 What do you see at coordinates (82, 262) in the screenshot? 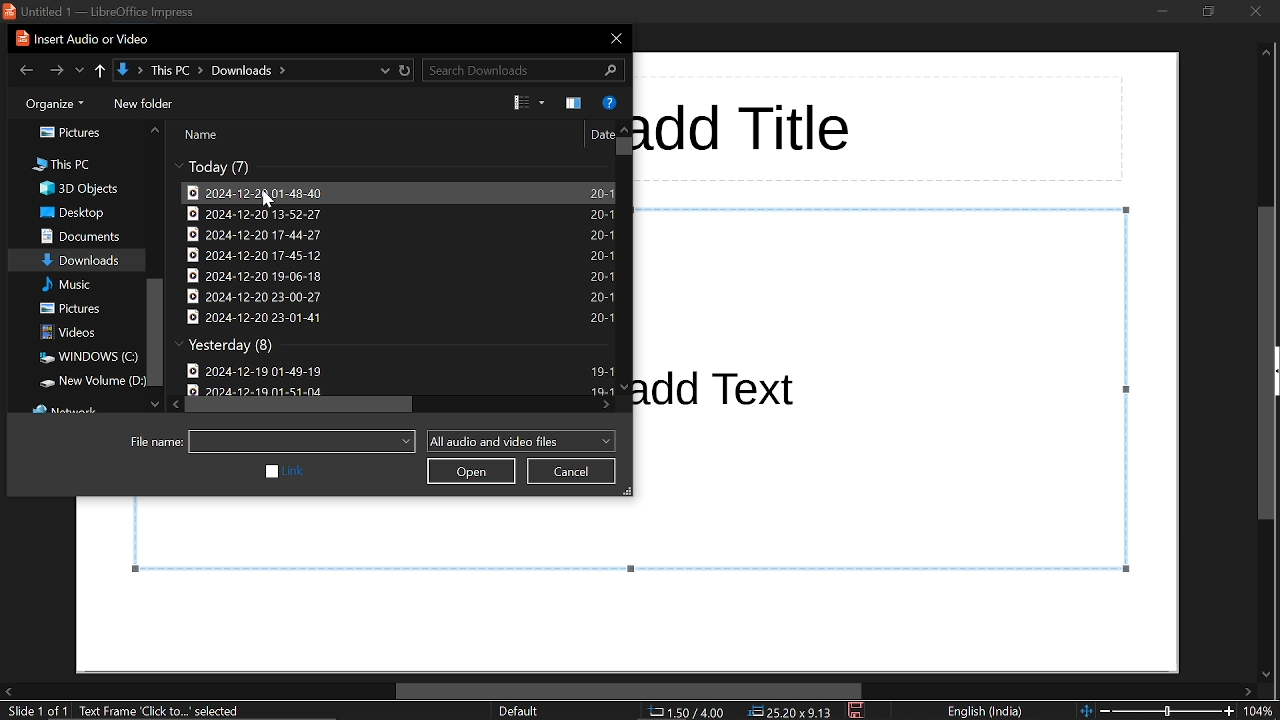
I see `downloads` at bounding box center [82, 262].